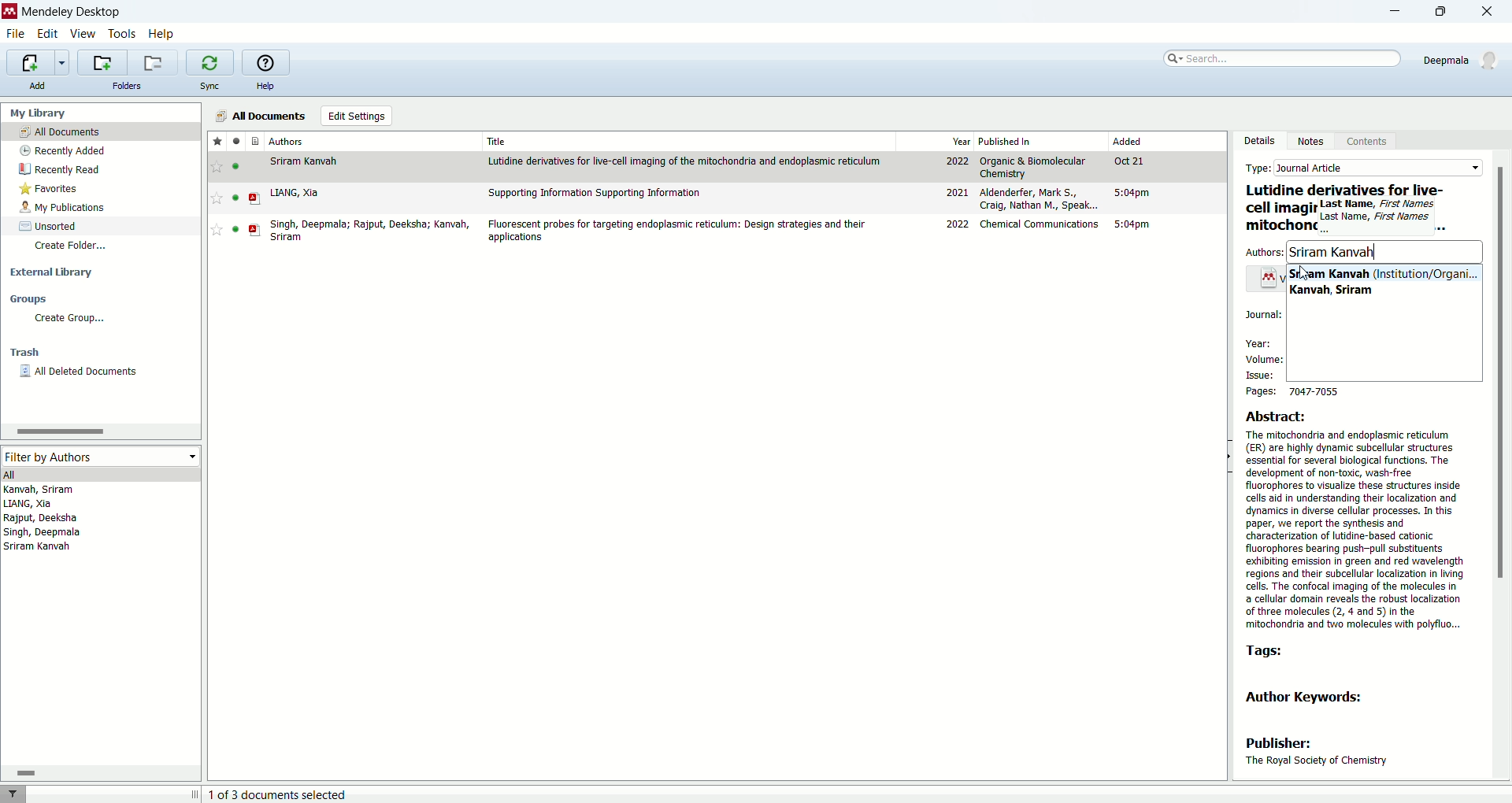 The image size is (1512, 803). I want to click on notes, so click(1310, 144).